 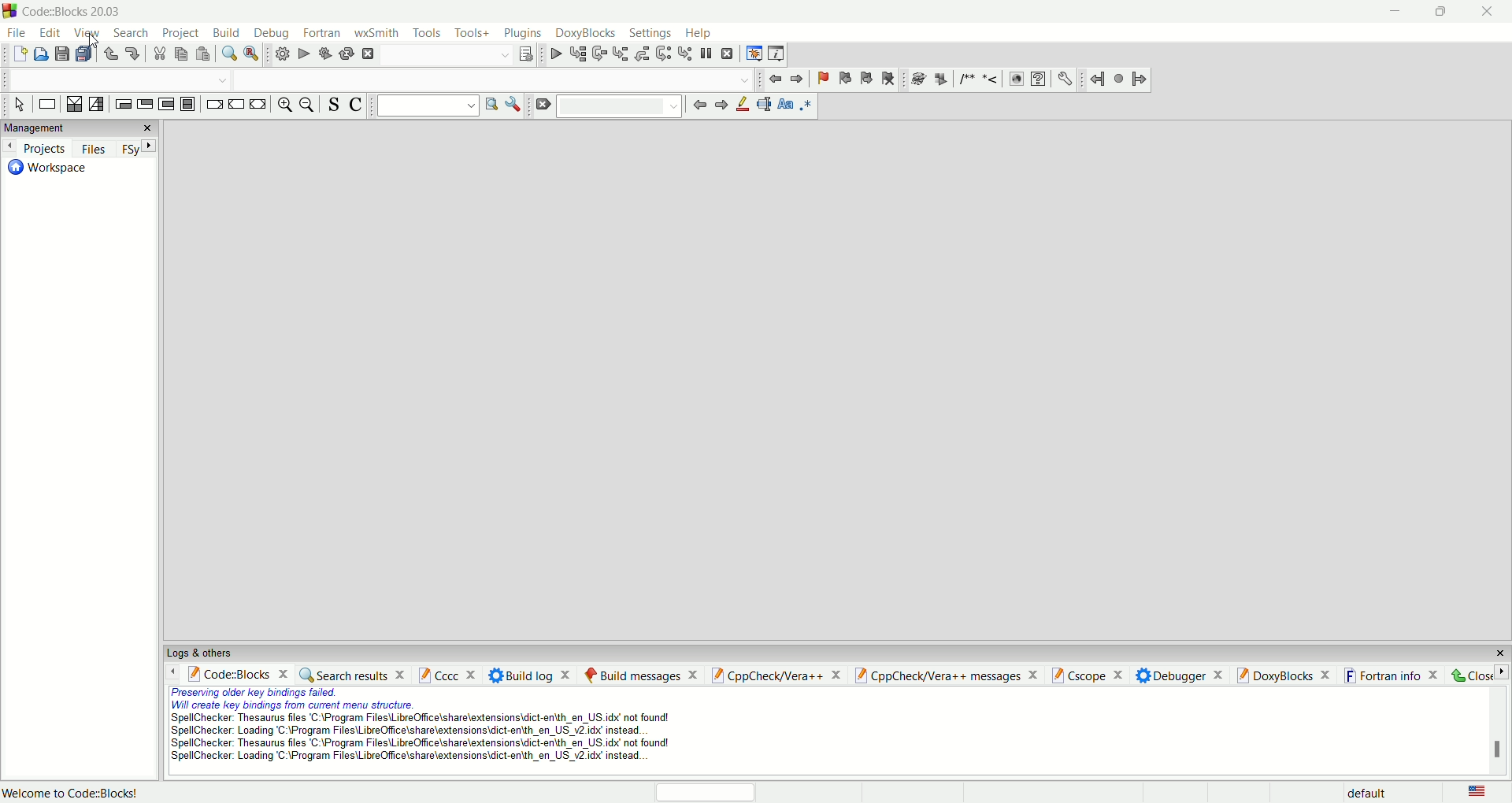 I want to click on continue, so click(x=236, y=105).